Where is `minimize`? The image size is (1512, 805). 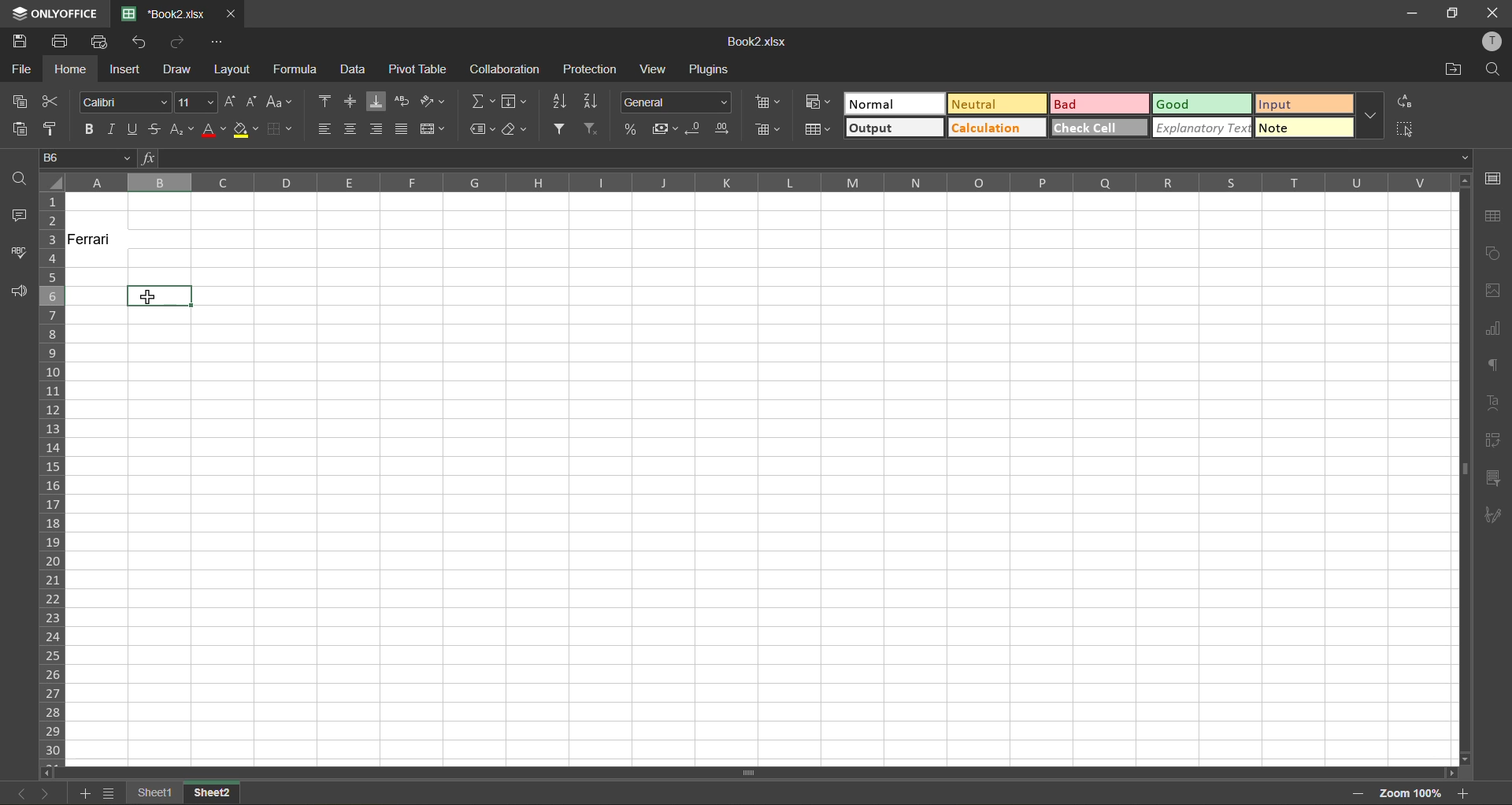 minimize is located at coordinates (1419, 14).